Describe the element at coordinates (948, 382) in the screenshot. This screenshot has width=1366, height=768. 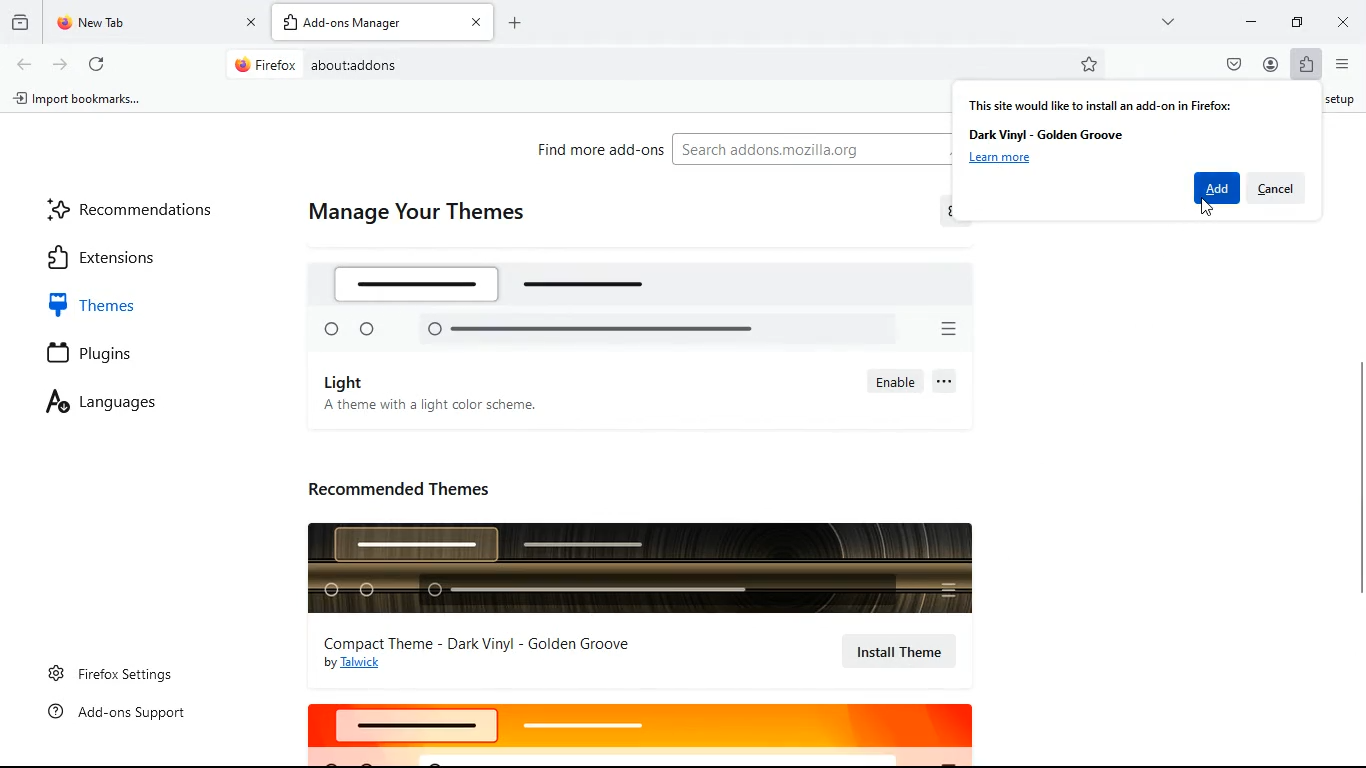
I see `more` at that location.